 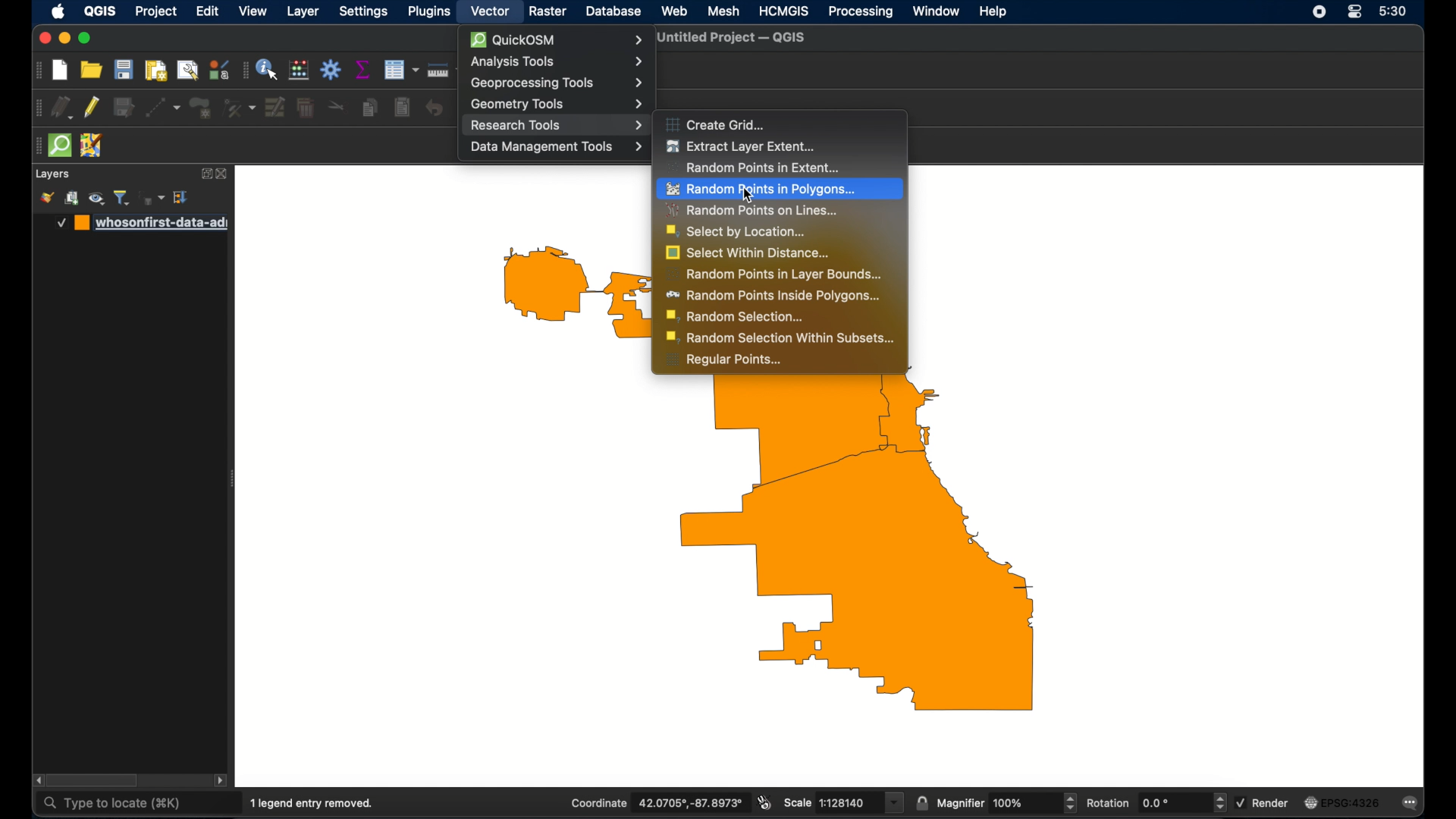 I want to click on data  management tools menu, so click(x=557, y=147).